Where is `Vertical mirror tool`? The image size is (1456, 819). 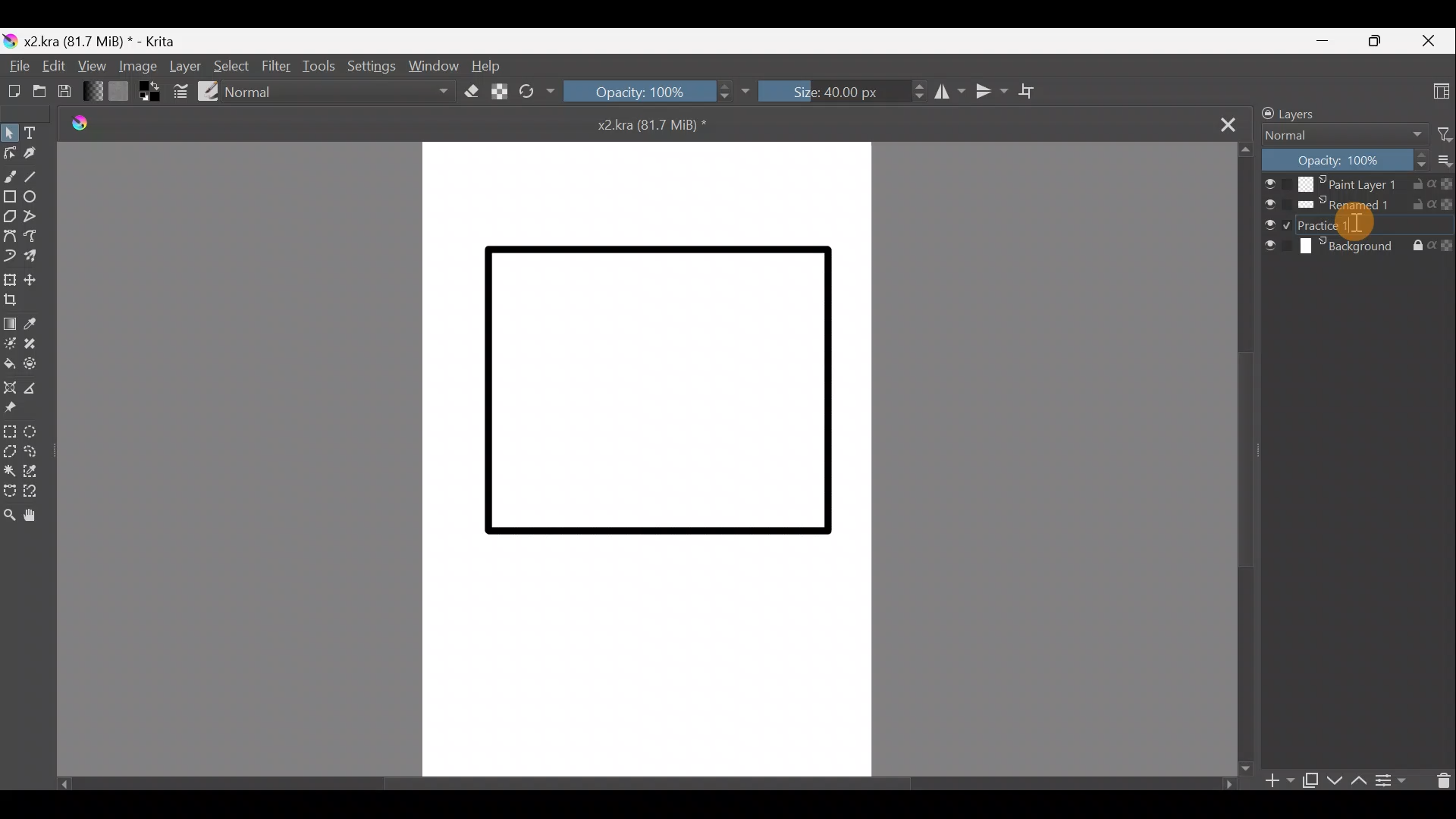
Vertical mirror tool is located at coordinates (991, 86).